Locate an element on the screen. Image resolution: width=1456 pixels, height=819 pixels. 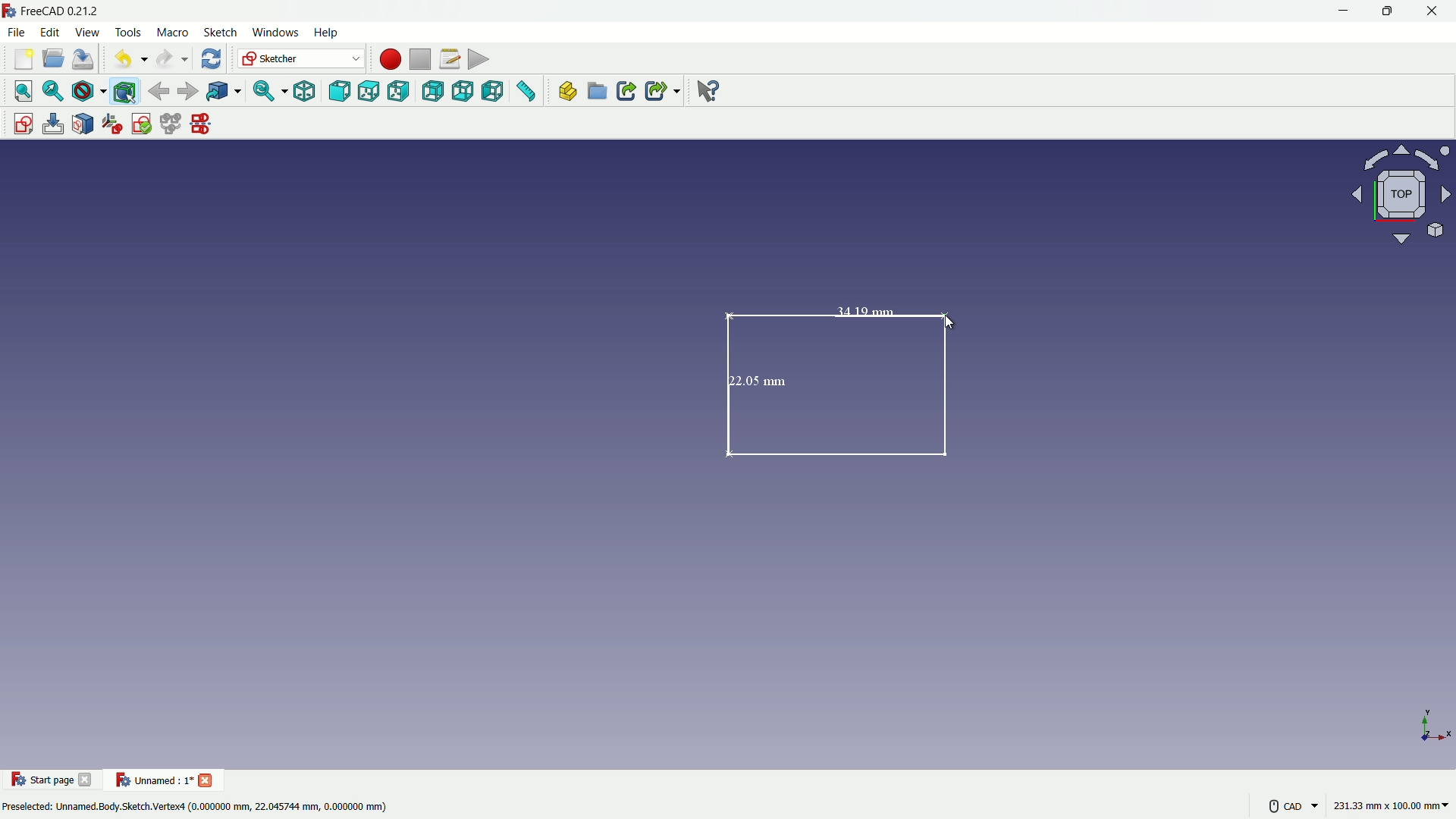
placement axes is located at coordinates (1433, 725).